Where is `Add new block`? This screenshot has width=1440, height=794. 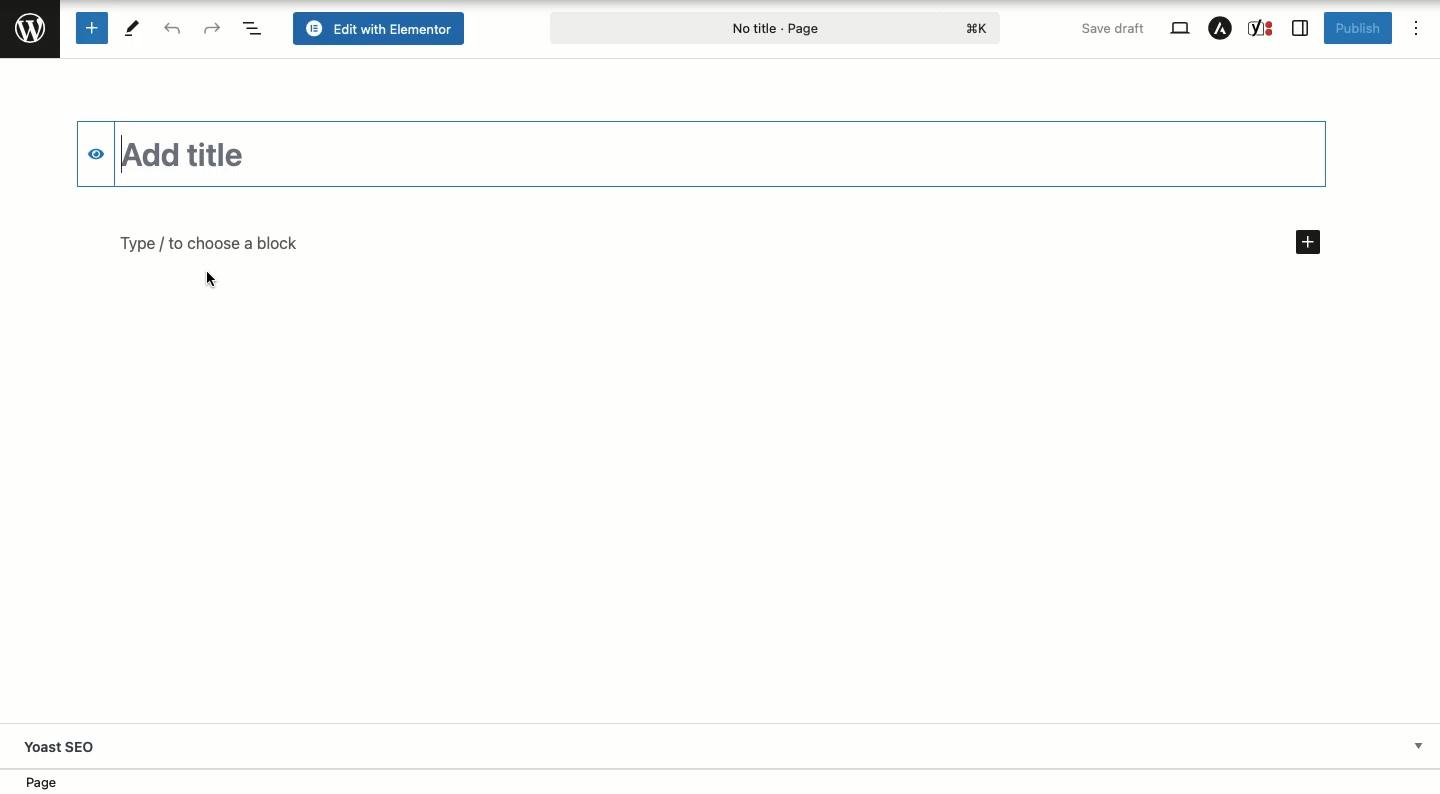
Add new block is located at coordinates (90, 28).